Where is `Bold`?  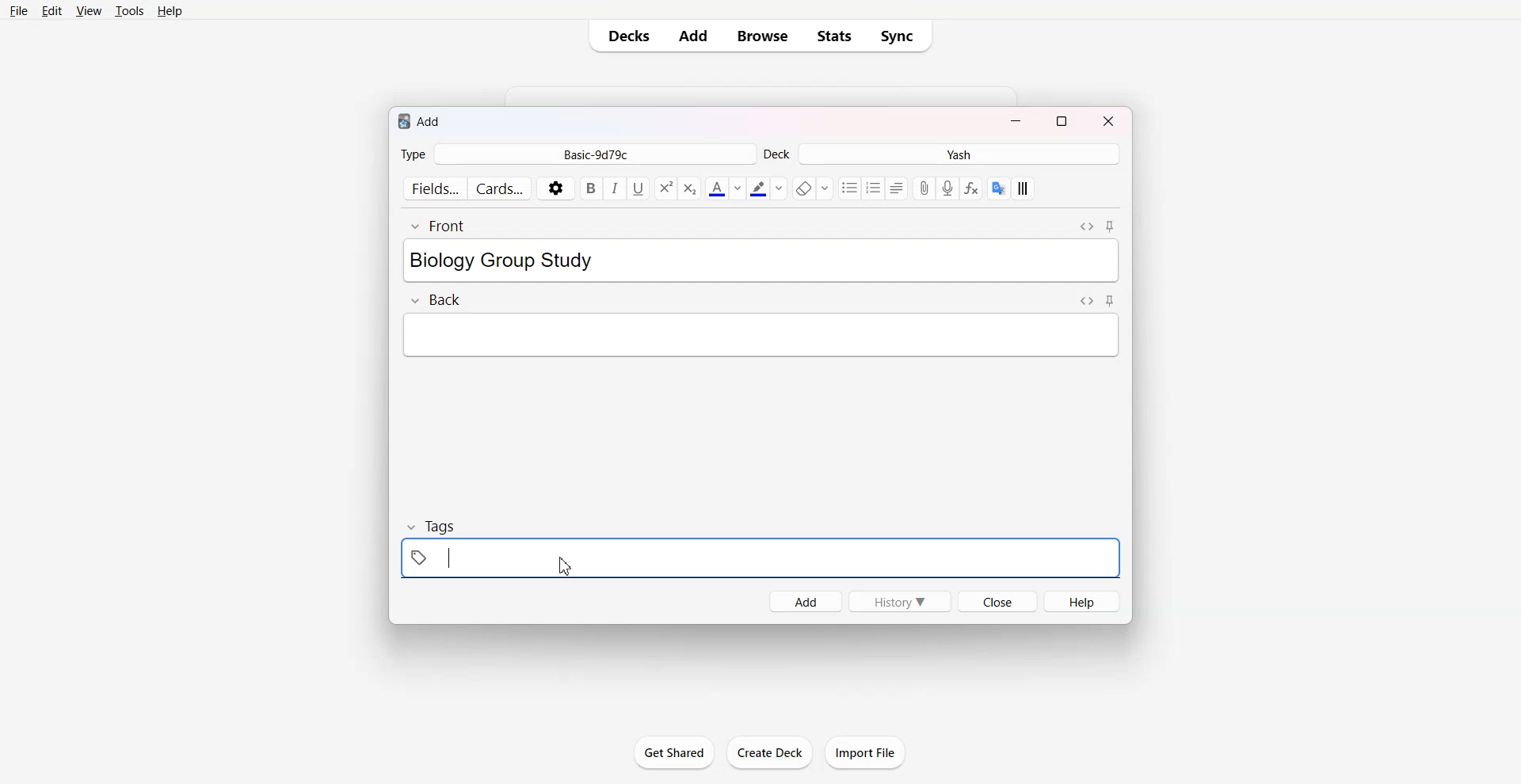
Bold is located at coordinates (591, 188).